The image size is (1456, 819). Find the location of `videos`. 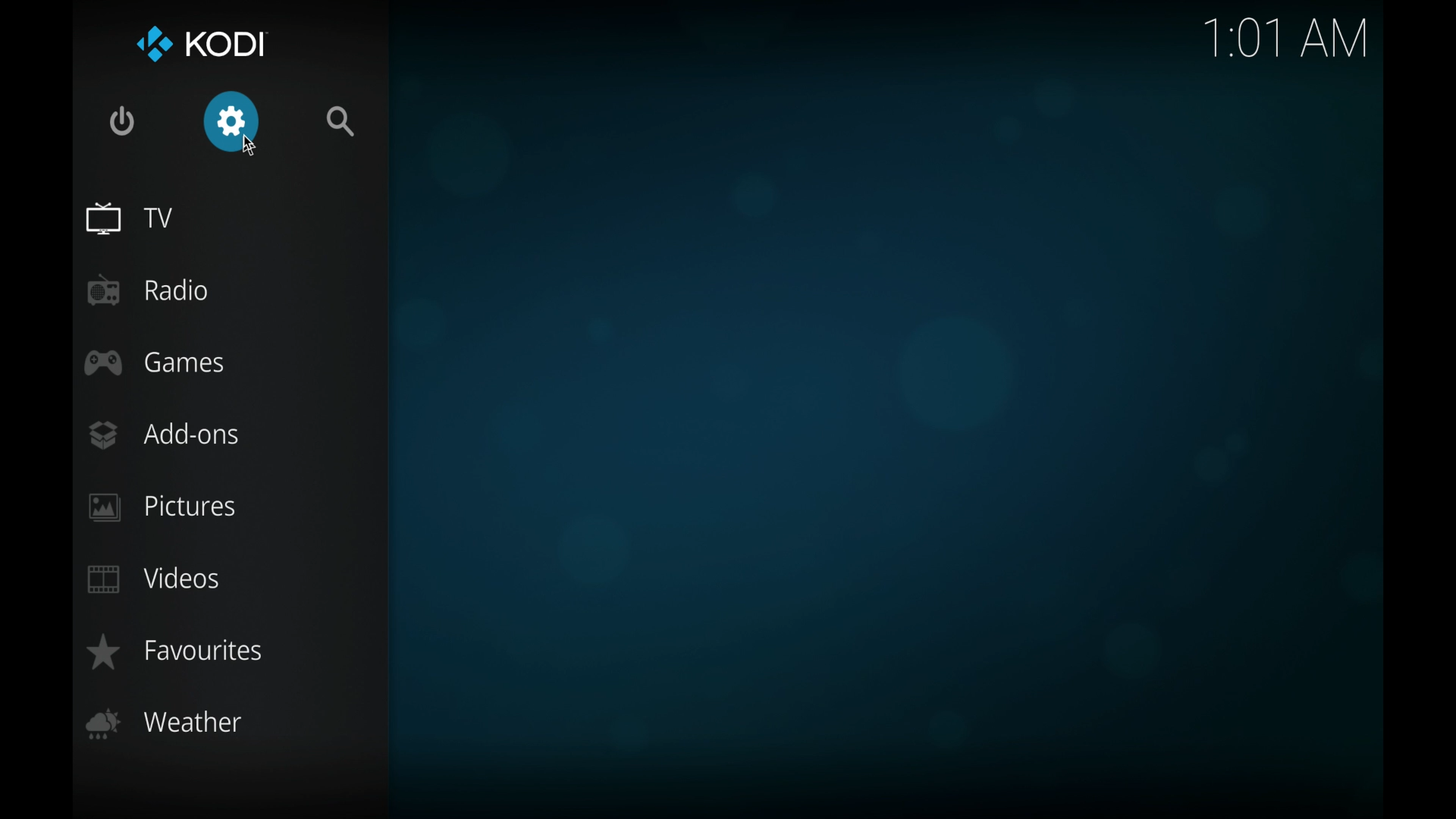

videos is located at coordinates (153, 579).